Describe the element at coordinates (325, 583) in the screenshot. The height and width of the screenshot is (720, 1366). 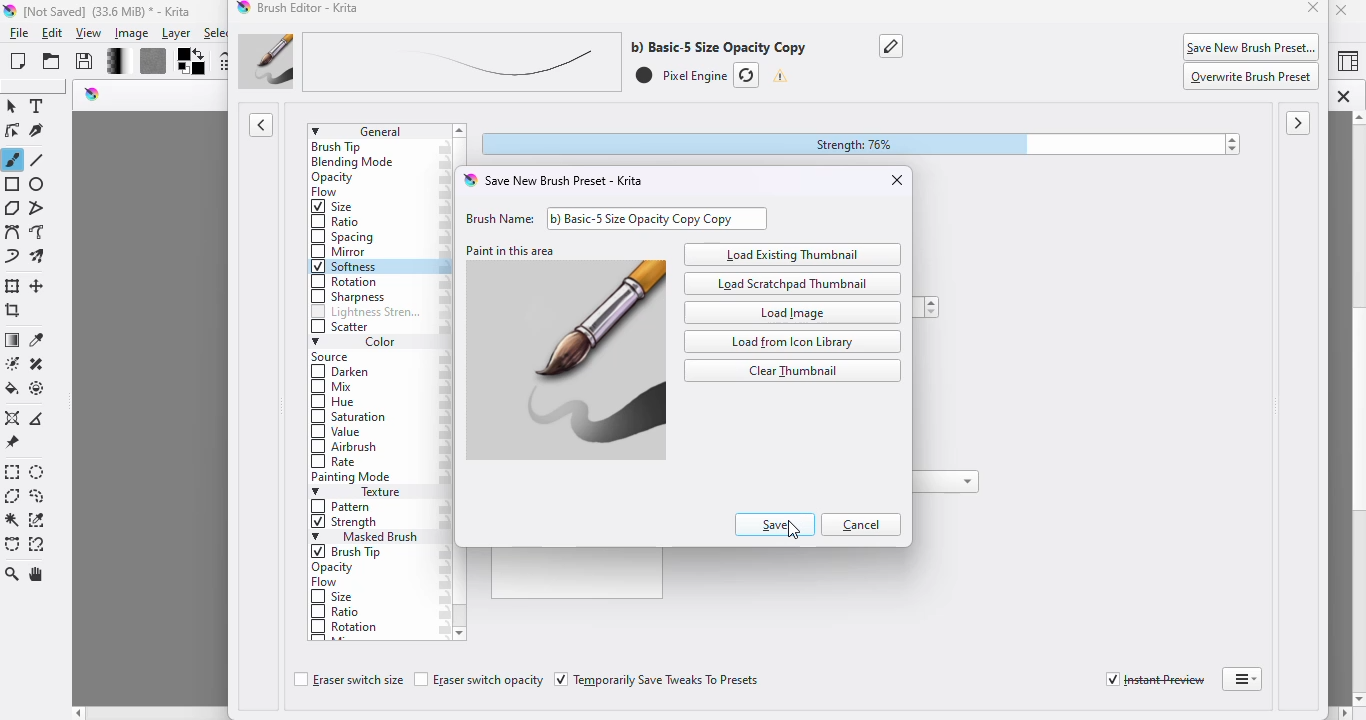
I see `flow` at that location.